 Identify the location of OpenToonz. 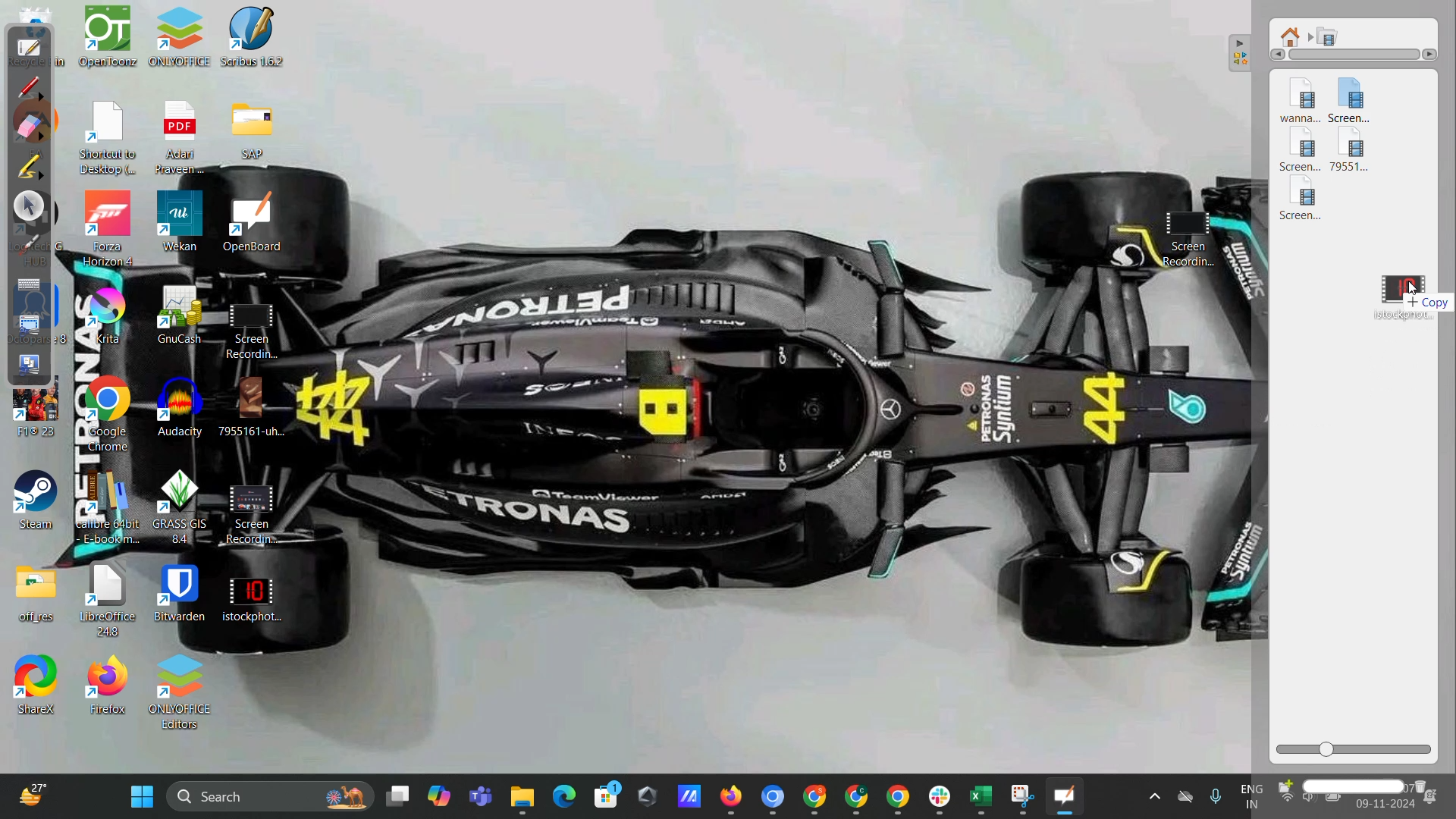
(108, 48).